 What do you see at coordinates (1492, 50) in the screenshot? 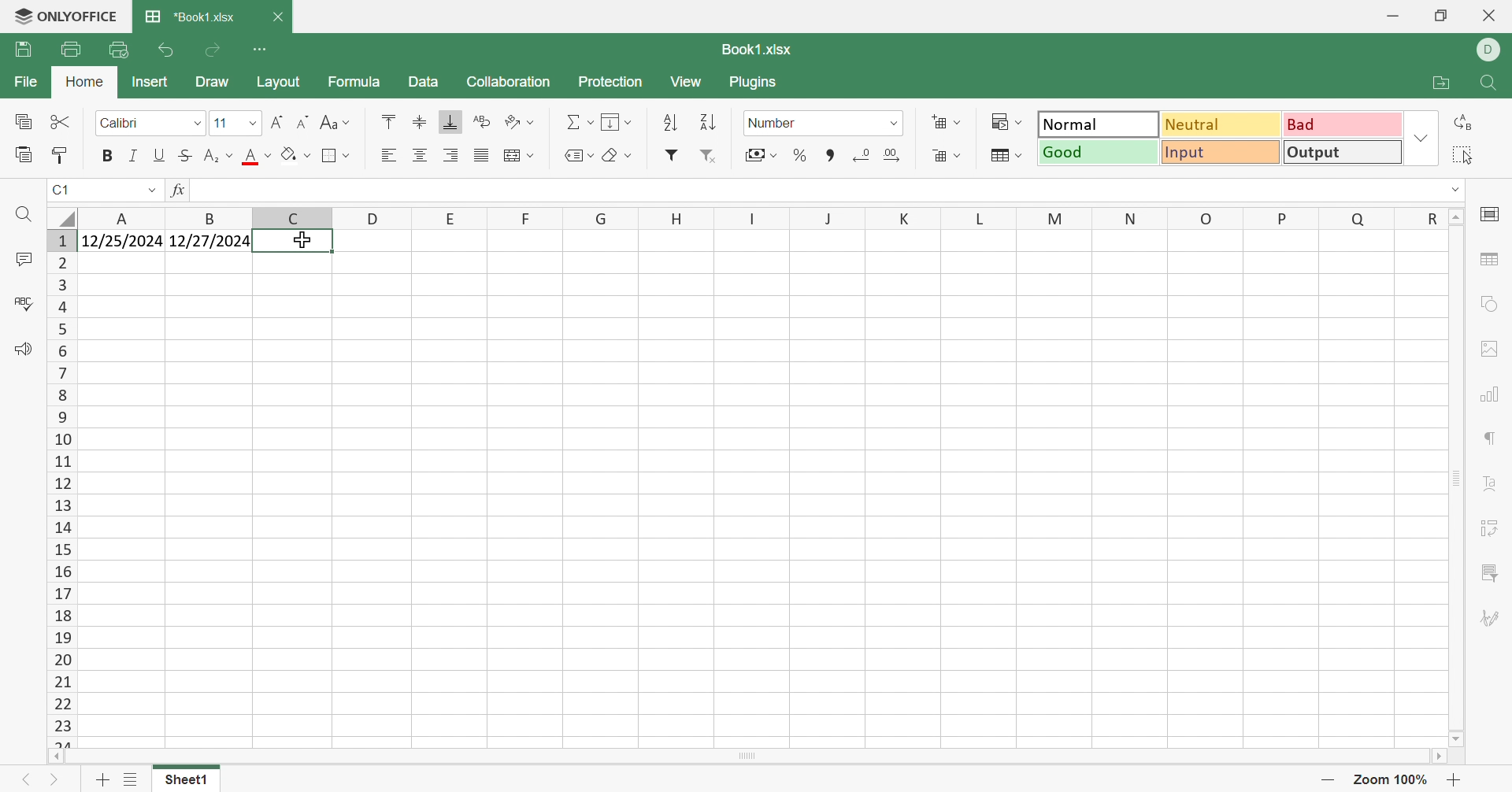
I see `DELL` at bounding box center [1492, 50].